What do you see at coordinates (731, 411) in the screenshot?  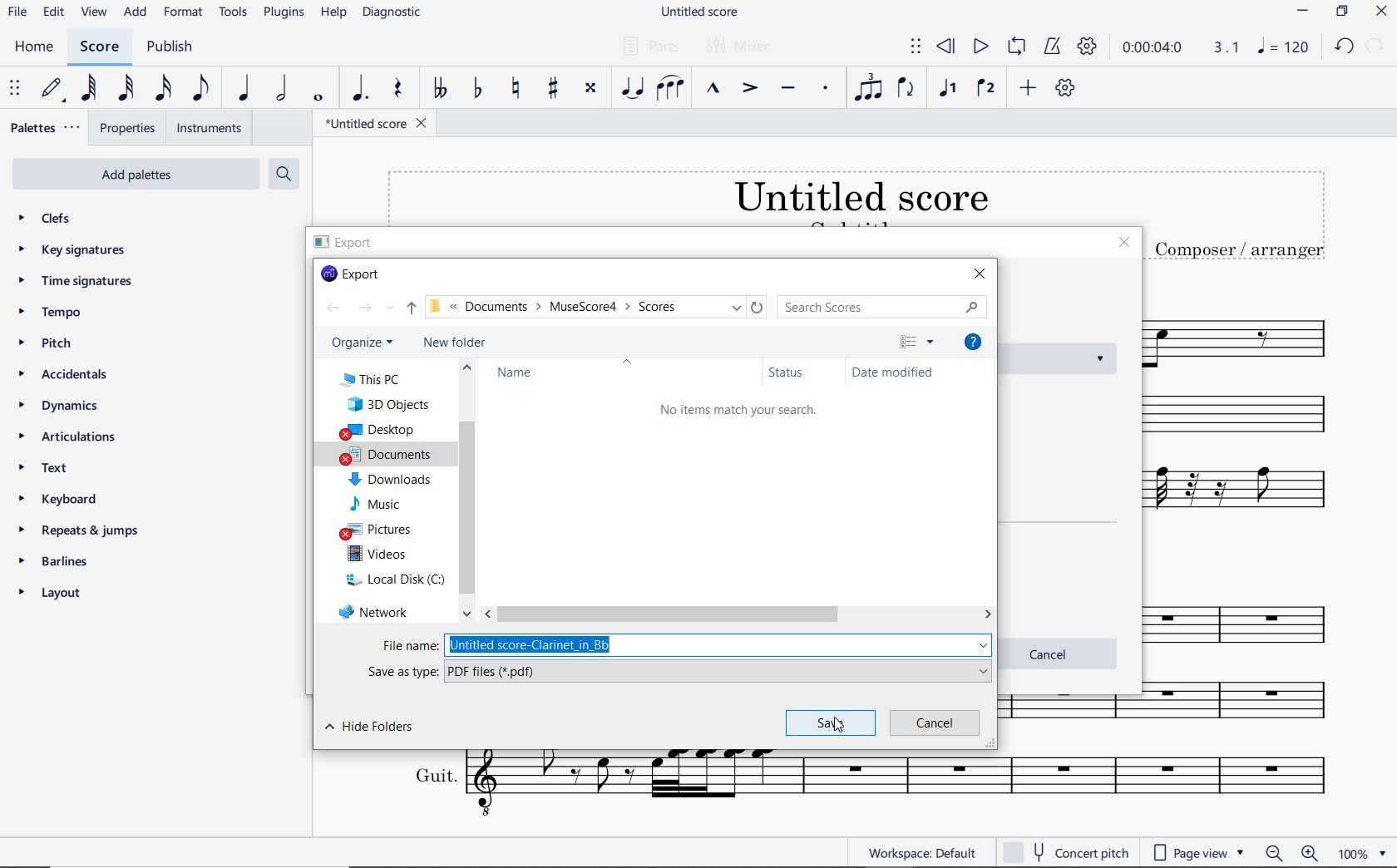 I see `NO ITEMS MATCH` at bounding box center [731, 411].